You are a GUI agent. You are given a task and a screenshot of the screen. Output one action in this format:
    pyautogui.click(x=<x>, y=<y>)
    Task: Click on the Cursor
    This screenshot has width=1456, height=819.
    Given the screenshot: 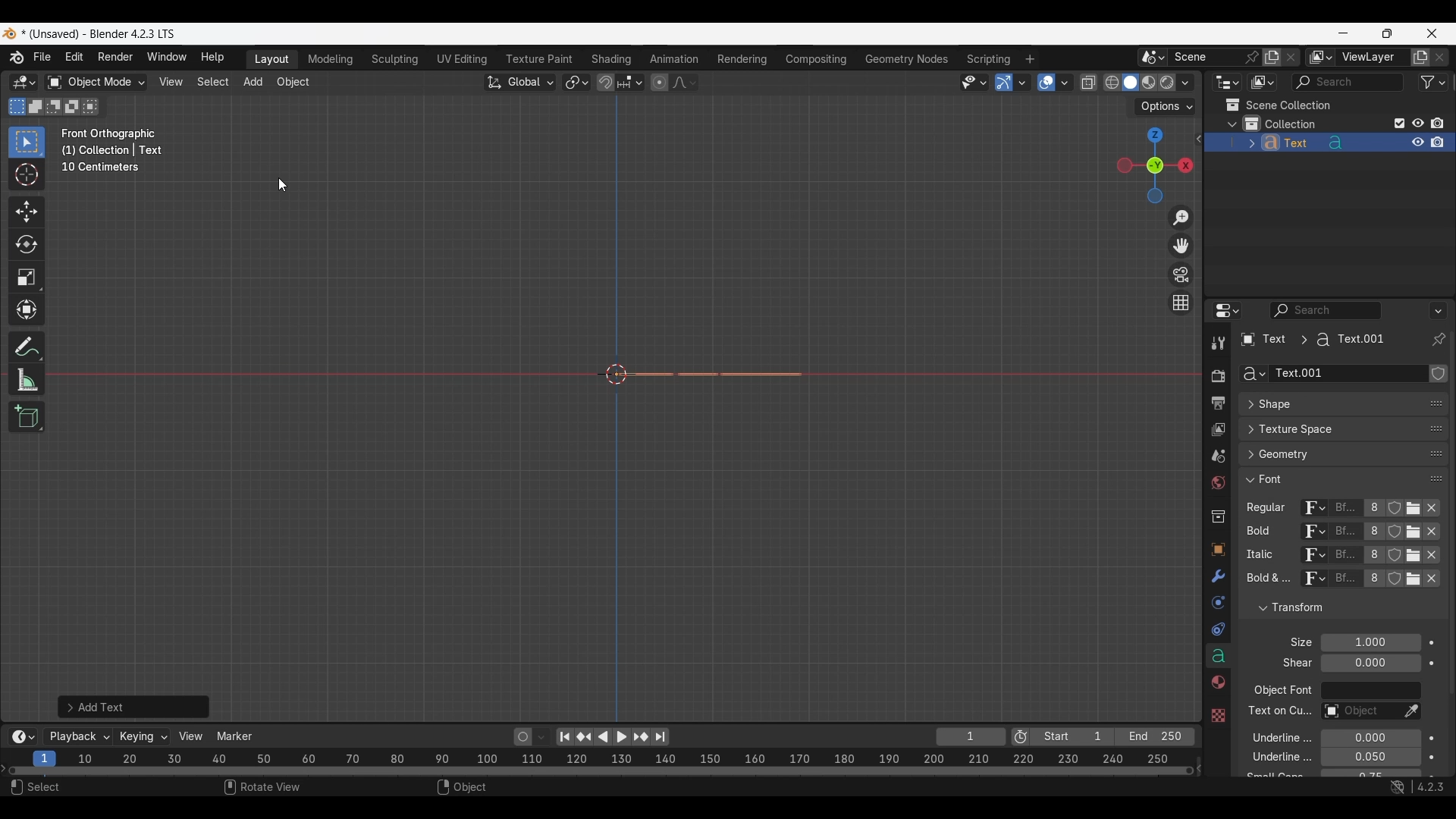 What is the action you would take?
    pyautogui.click(x=27, y=176)
    